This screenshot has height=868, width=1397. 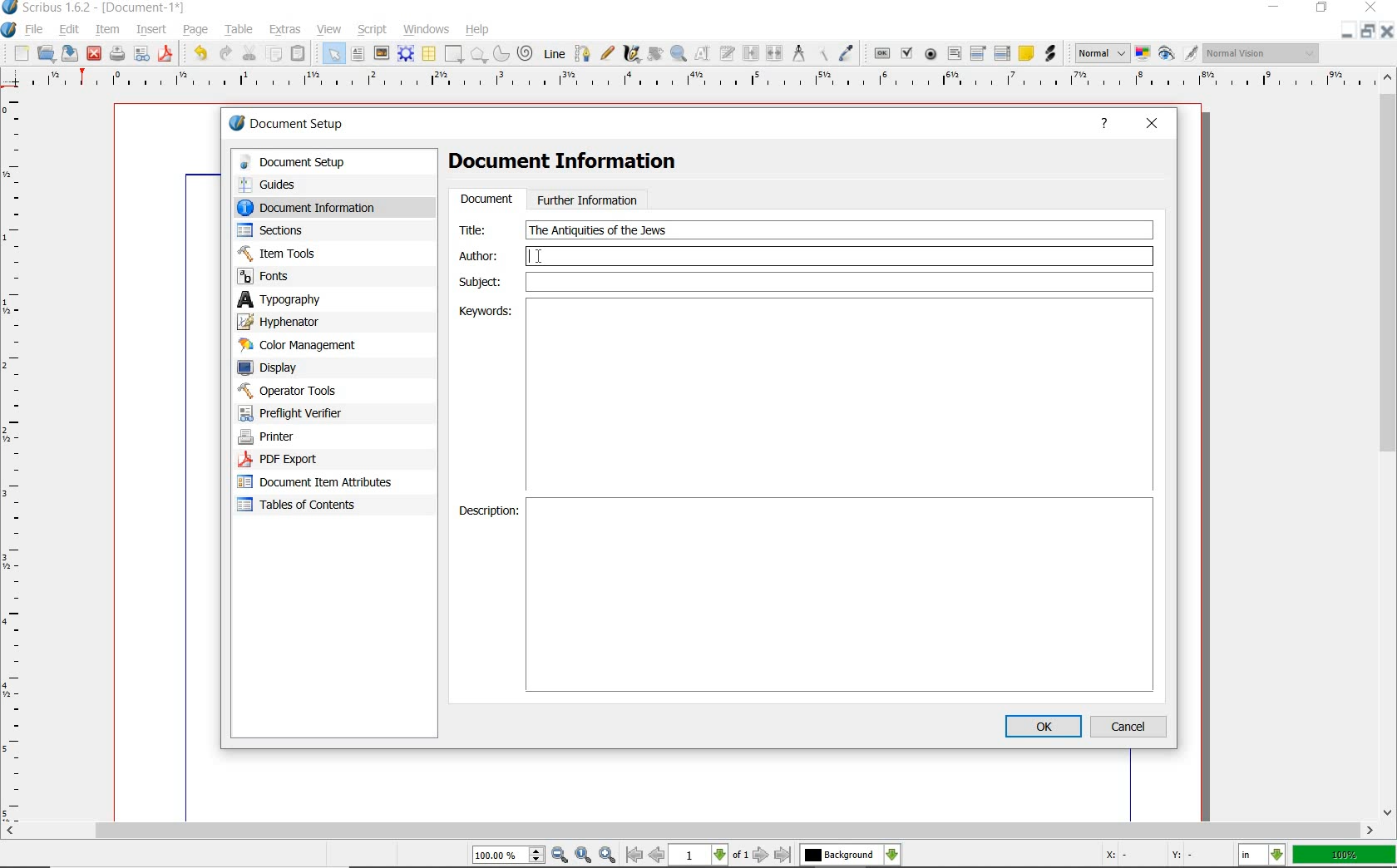 What do you see at coordinates (307, 230) in the screenshot?
I see `sections` at bounding box center [307, 230].